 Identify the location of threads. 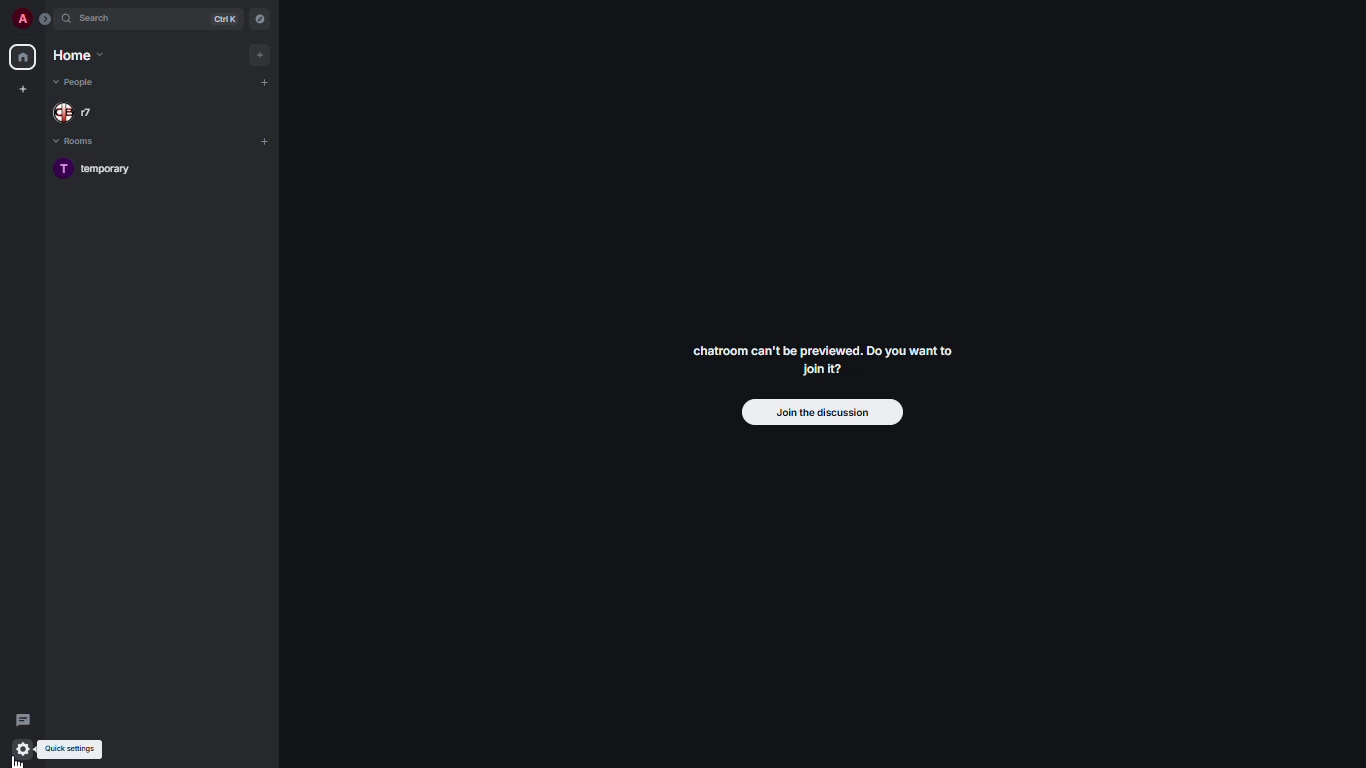
(21, 716).